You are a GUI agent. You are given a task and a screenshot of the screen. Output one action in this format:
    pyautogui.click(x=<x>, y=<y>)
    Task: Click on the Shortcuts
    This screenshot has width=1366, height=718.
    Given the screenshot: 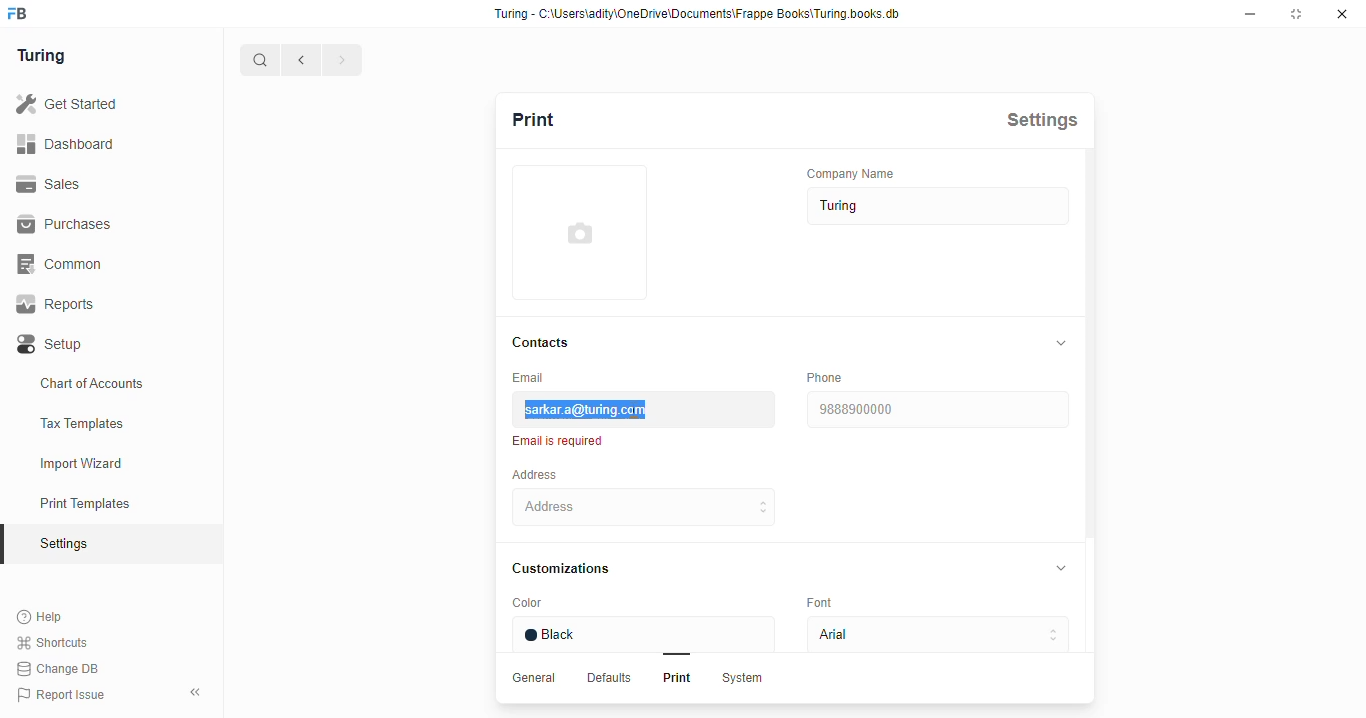 What is the action you would take?
    pyautogui.click(x=57, y=642)
    